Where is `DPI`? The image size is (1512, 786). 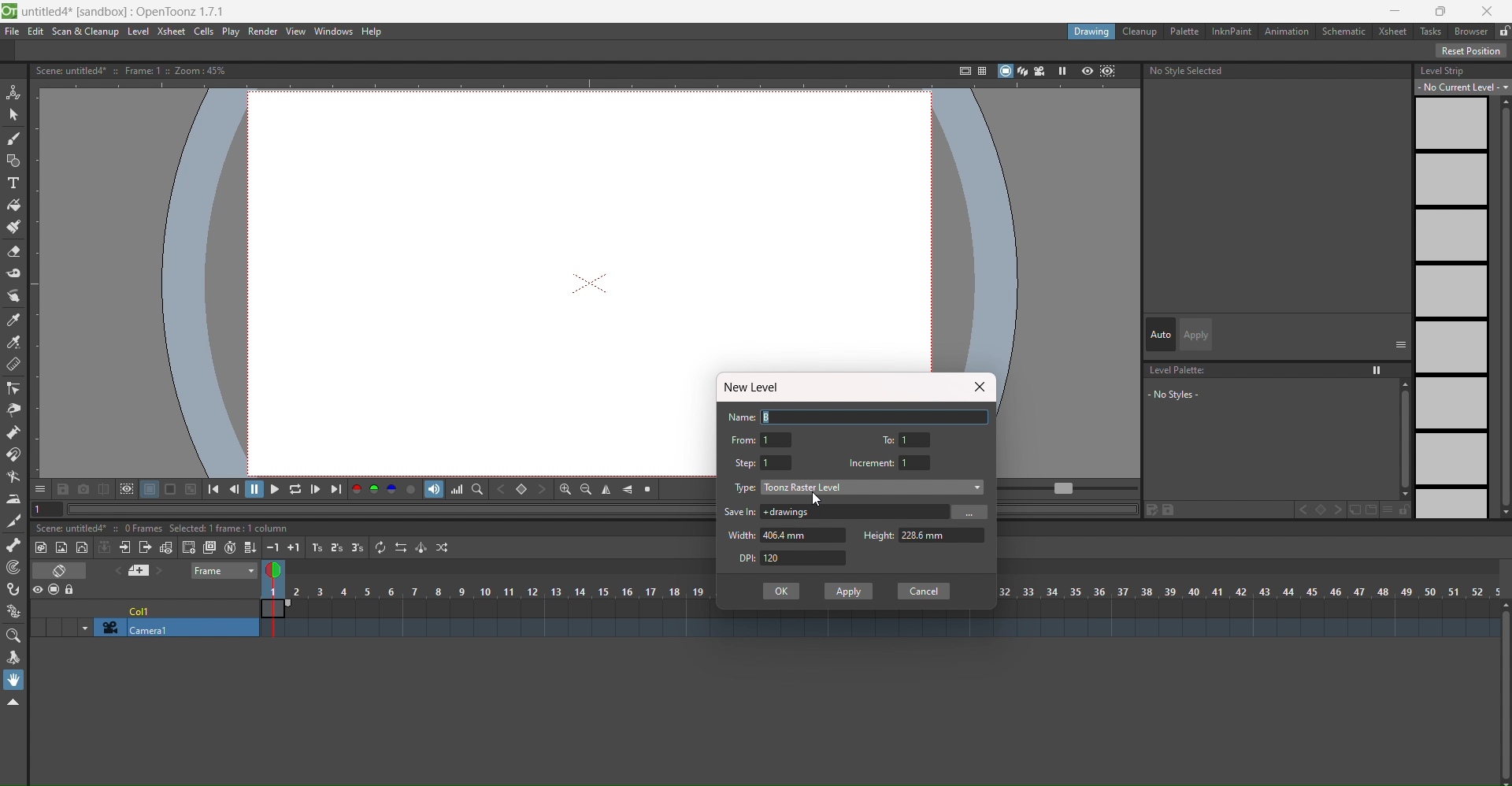
DPI is located at coordinates (741, 558).